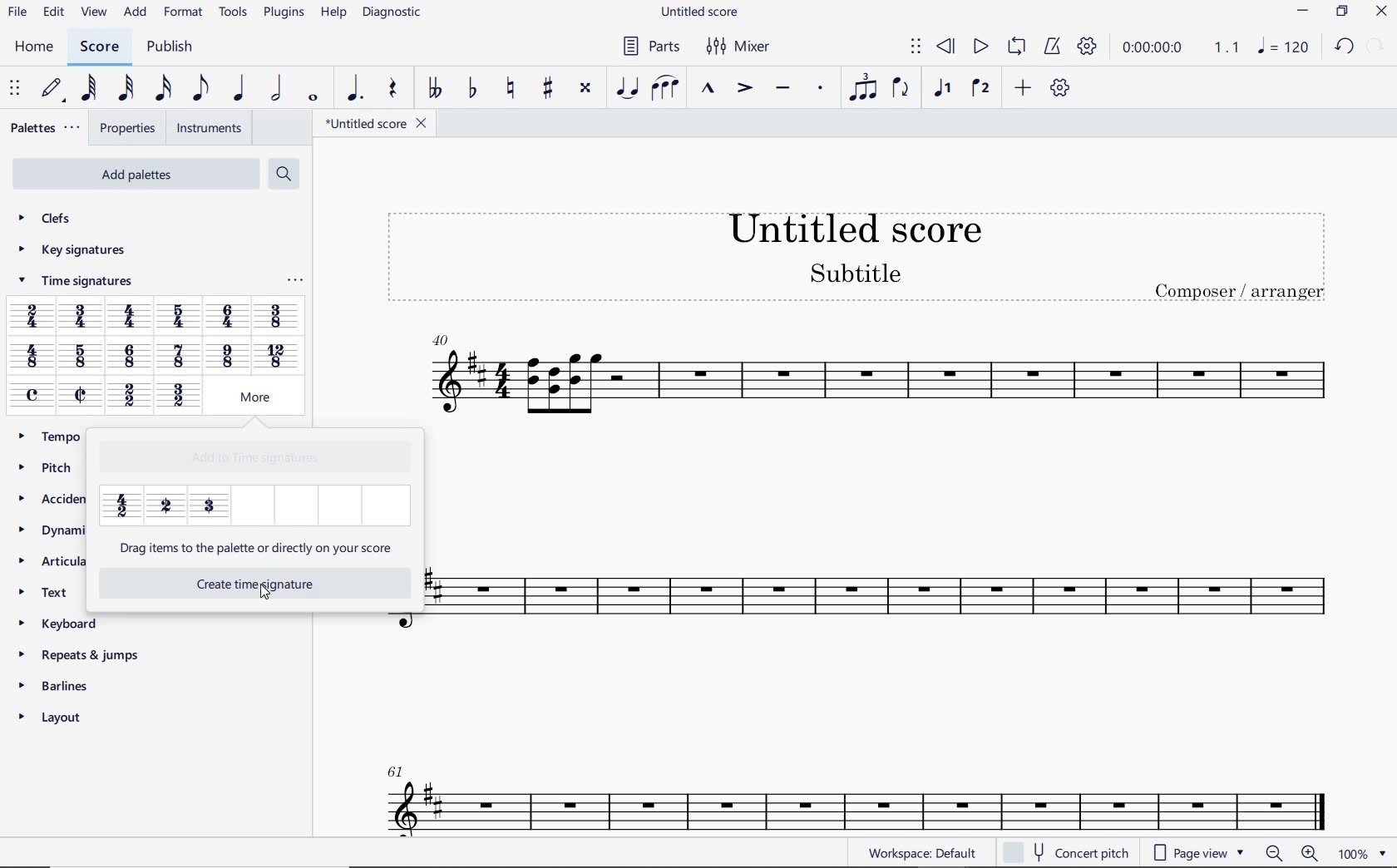 The height and width of the screenshot is (868, 1397). Describe the element at coordinates (74, 284) in the screenshot. I see `TIME SIGNATURES` at that location.